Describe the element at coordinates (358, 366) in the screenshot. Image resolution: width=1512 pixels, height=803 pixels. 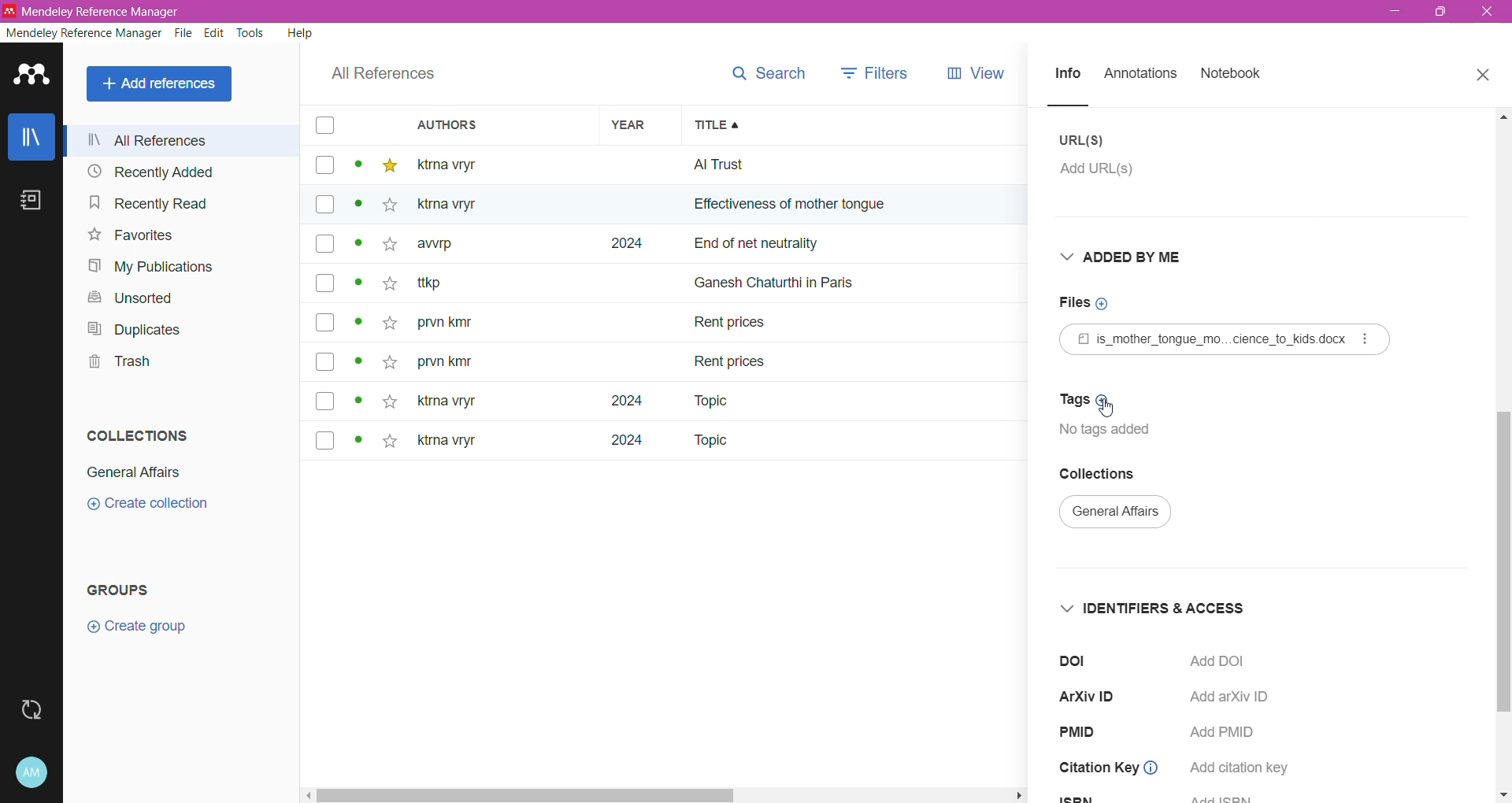
I see `dot ` at that location.